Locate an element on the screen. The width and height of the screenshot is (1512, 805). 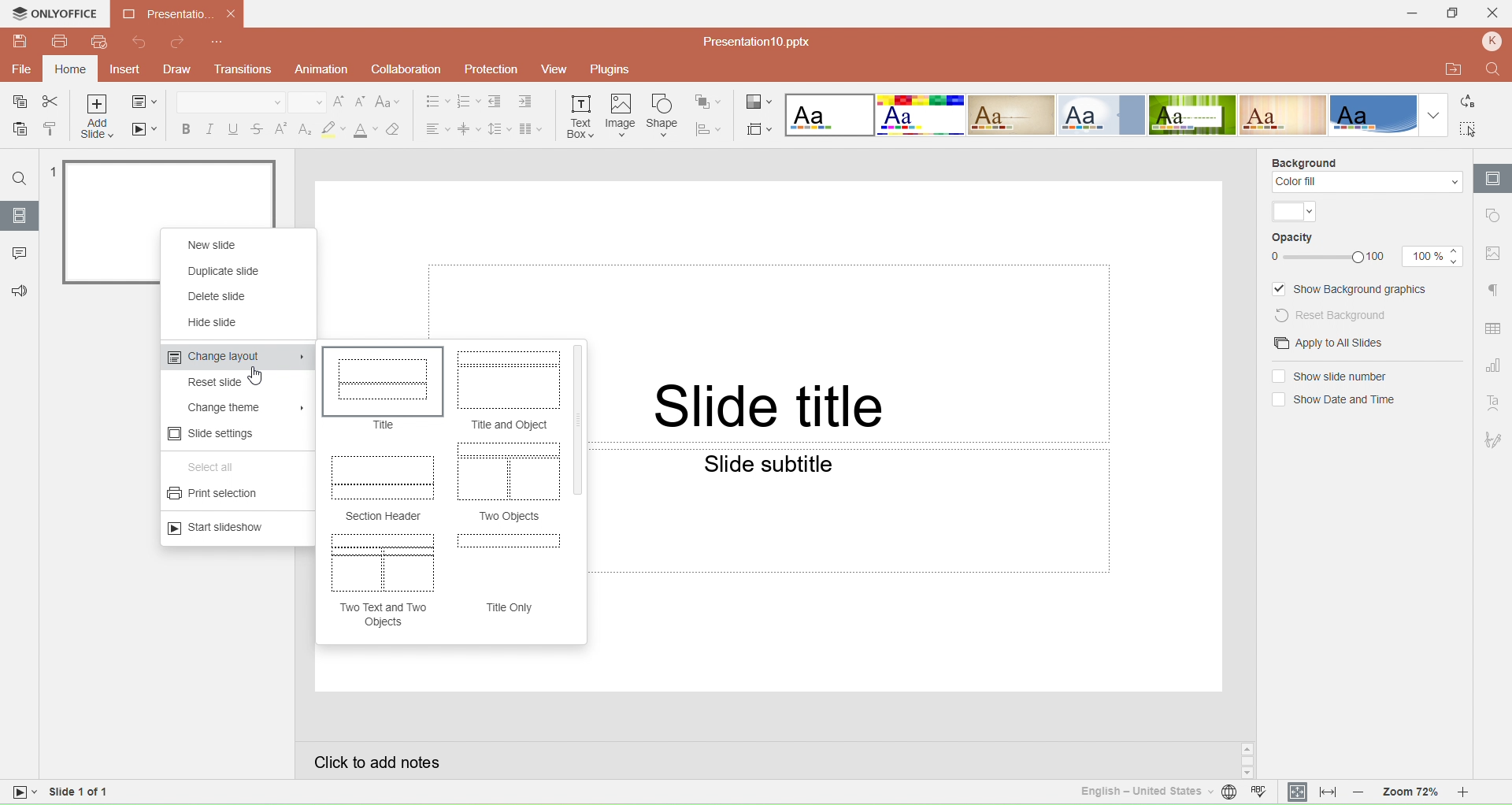
Title Only is located at coordinates (511, 607).